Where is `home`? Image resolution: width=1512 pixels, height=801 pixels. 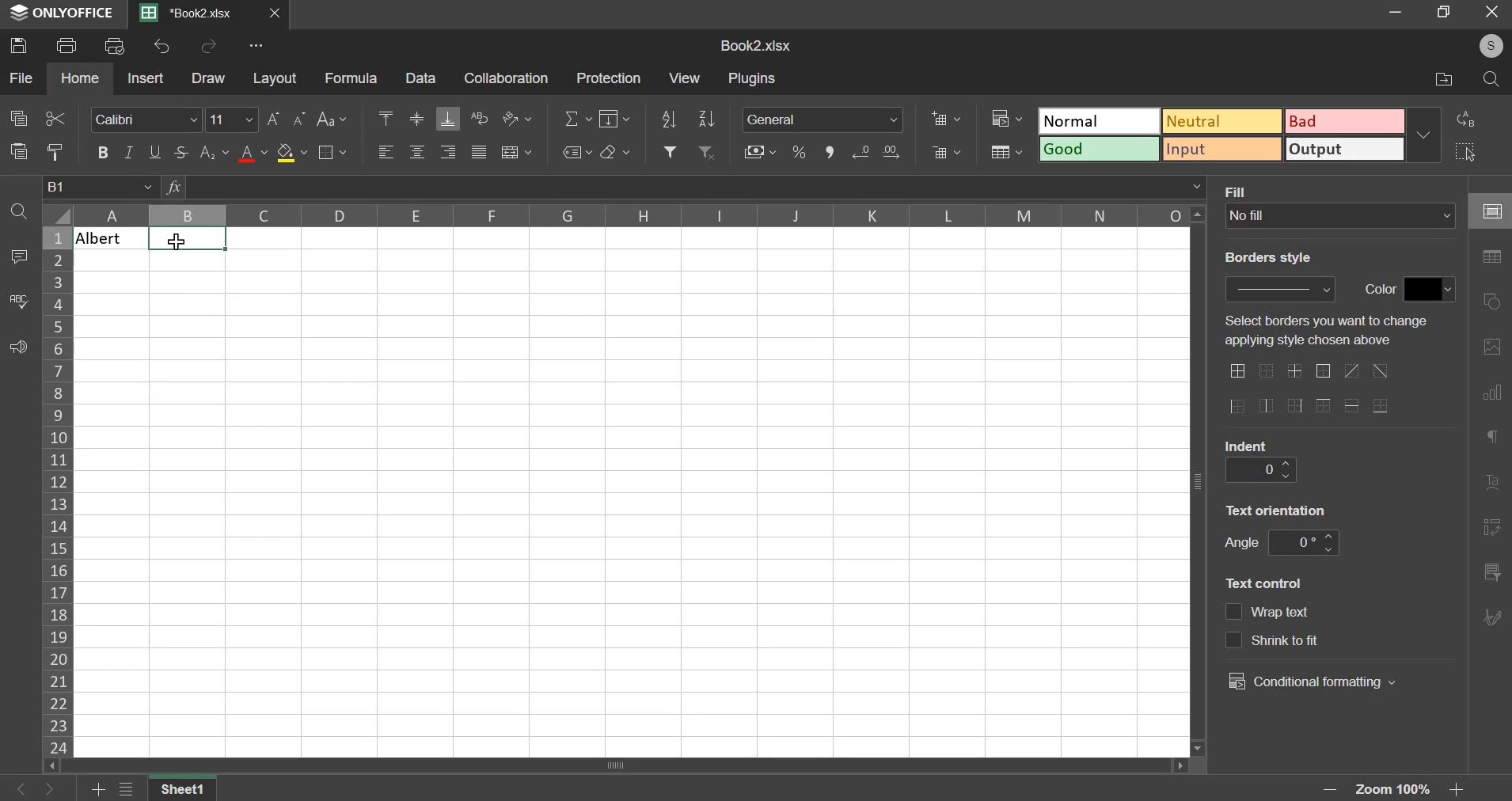
home is located at coordinates (81, 79).